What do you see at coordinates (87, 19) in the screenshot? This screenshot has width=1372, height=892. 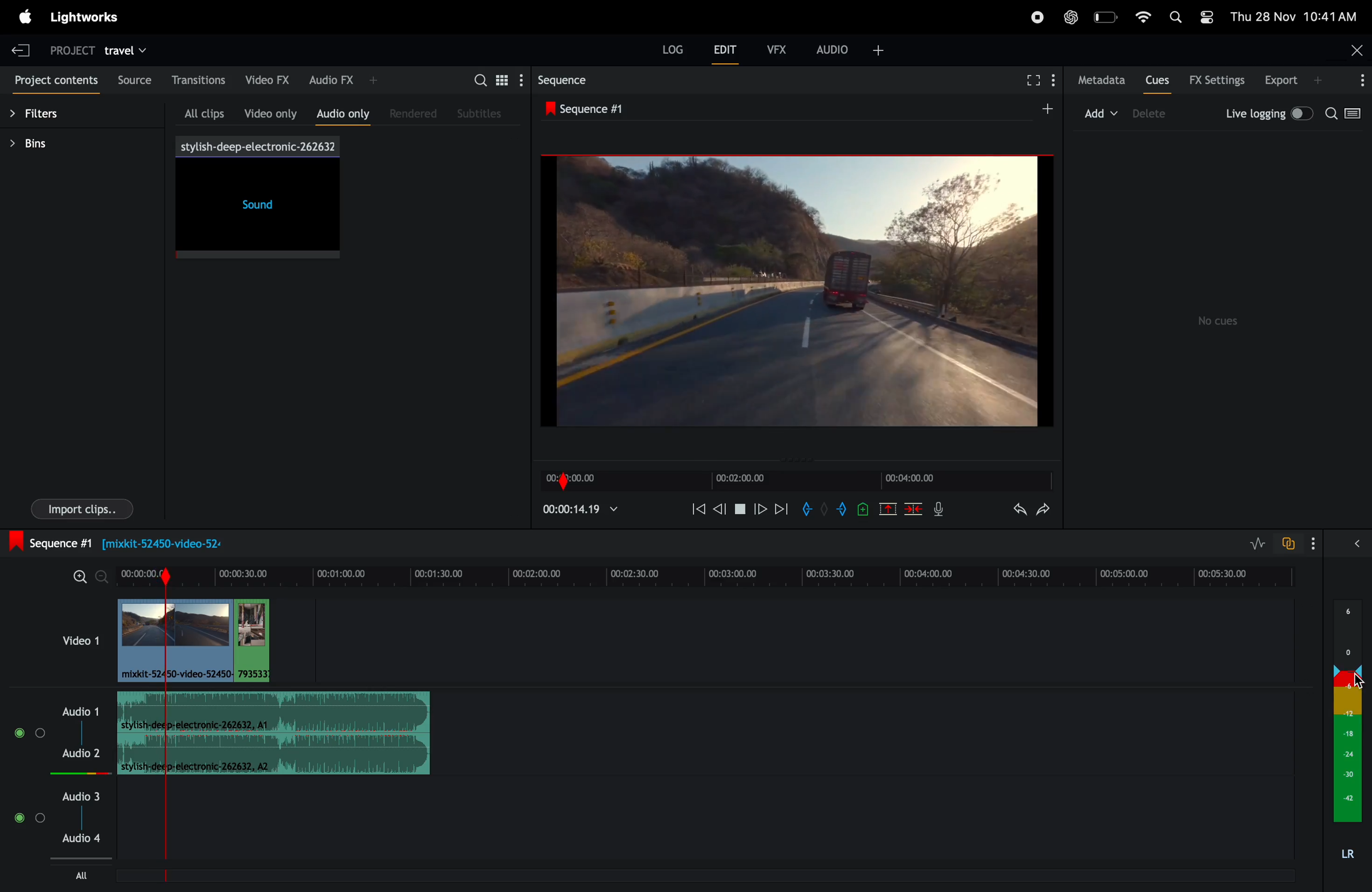 I see `light works menu` at bounding box center [87, 19].